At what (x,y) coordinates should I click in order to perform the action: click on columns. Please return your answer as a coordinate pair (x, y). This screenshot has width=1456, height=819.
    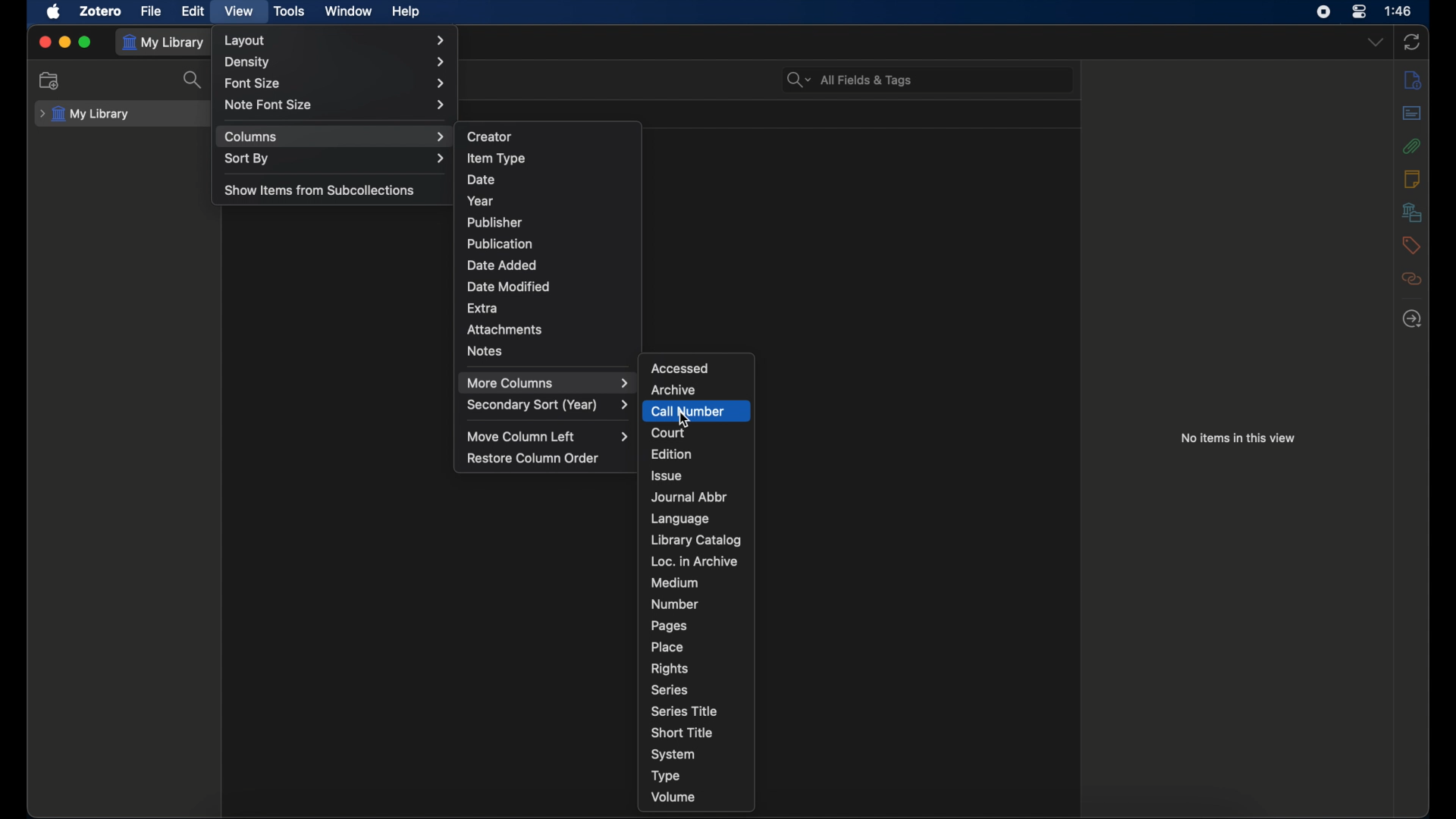
    Looking at the image, I should click on (334, 137).